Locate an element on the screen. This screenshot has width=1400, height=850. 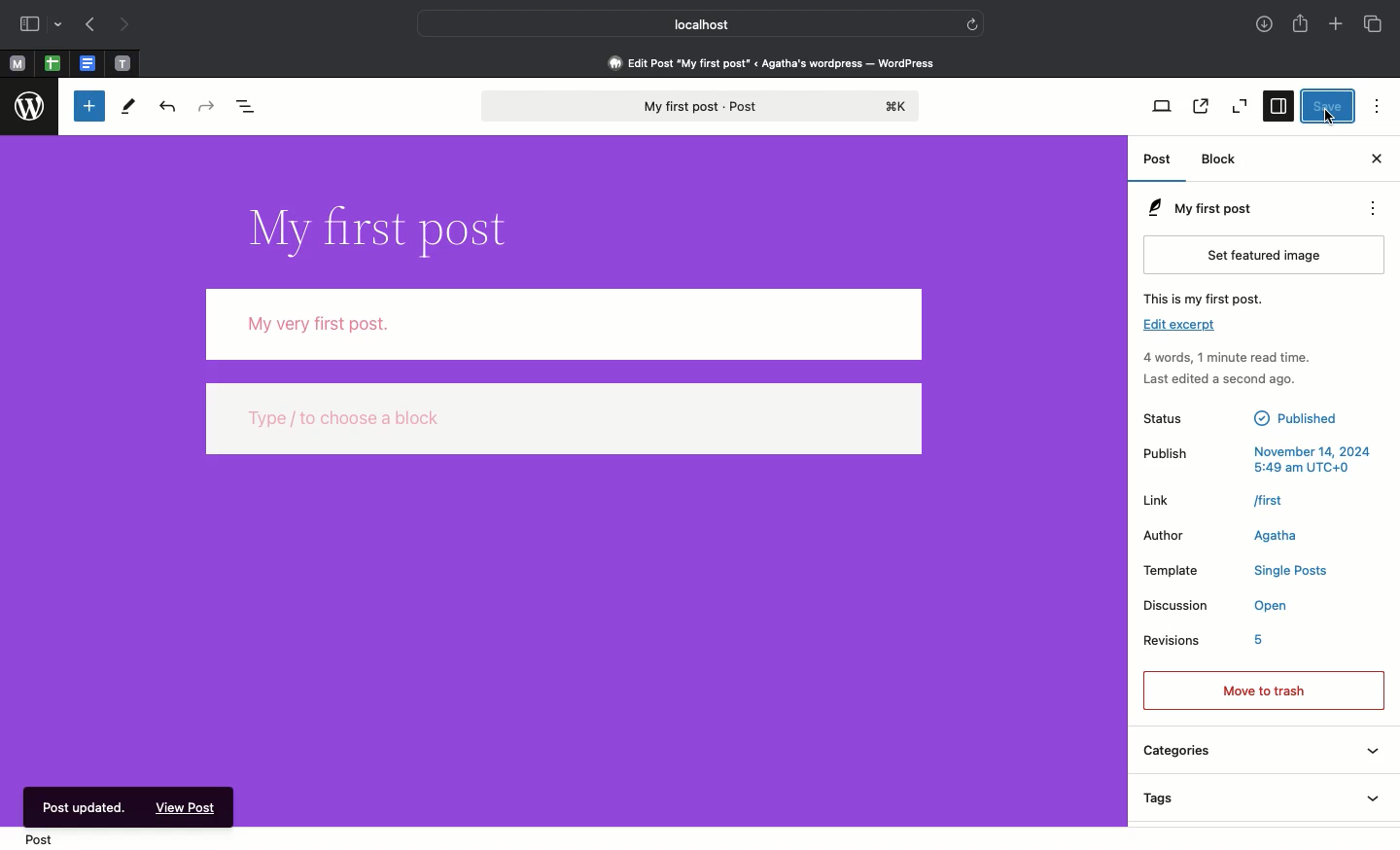
Options is located at coordinates (1374, 106).